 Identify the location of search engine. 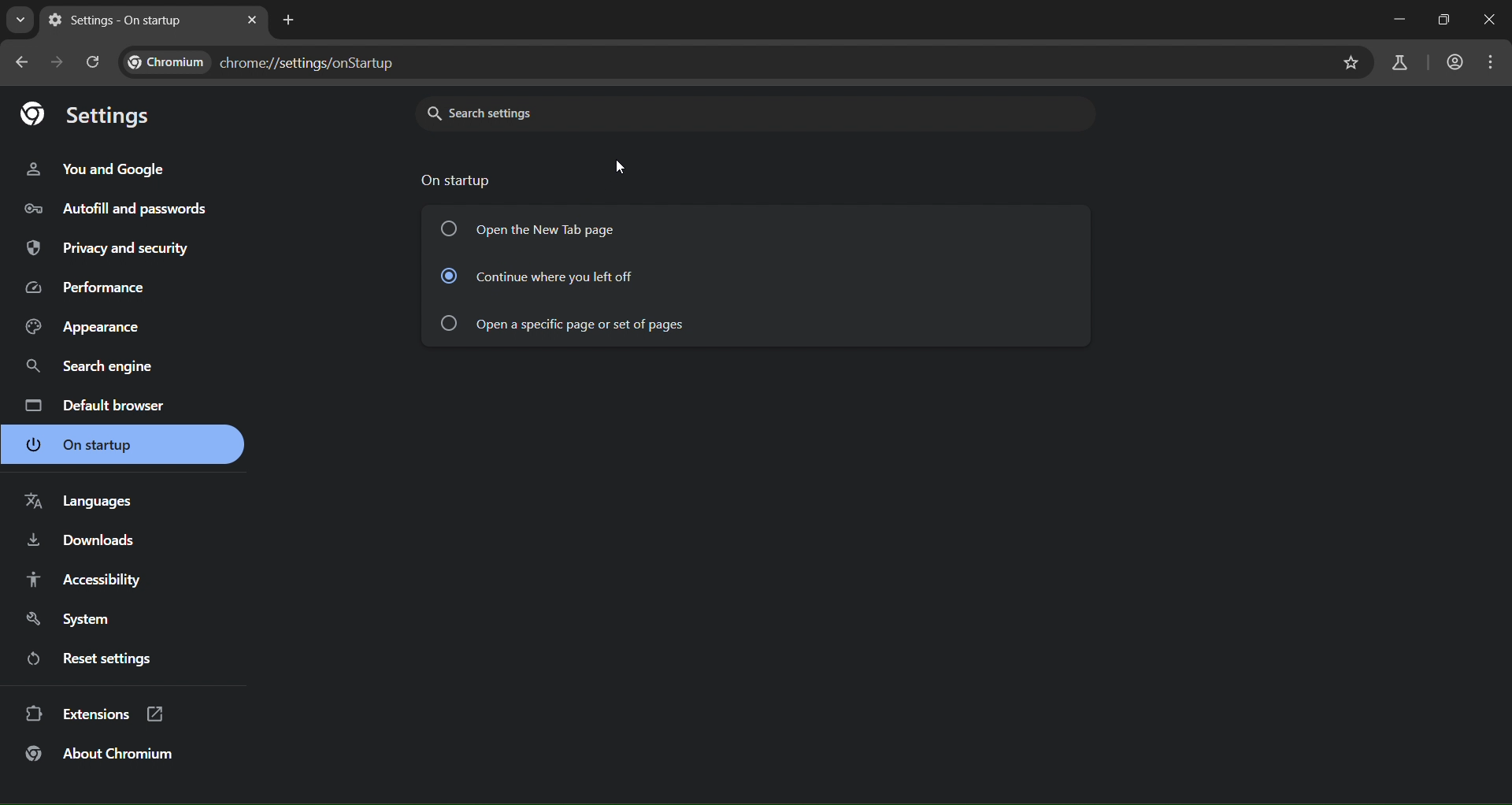
(83, 367).